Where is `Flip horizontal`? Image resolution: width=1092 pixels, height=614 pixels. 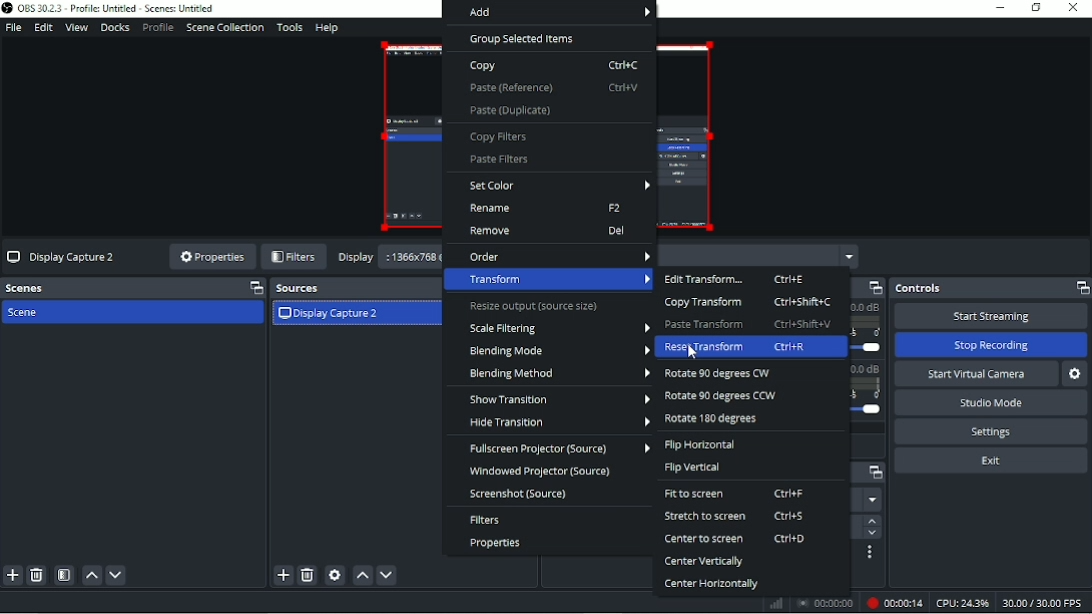
Flip horizontal is located at coordinates (701, 445).